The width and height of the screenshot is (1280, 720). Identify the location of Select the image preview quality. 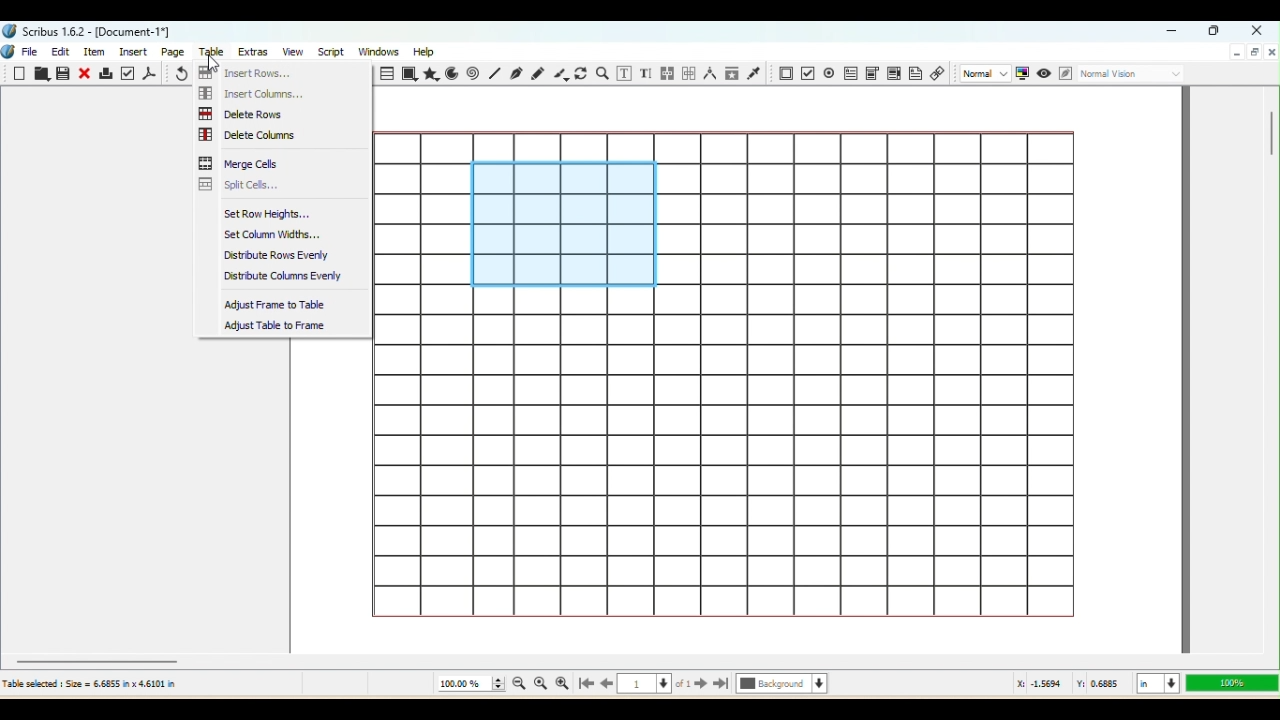
(983, 73).